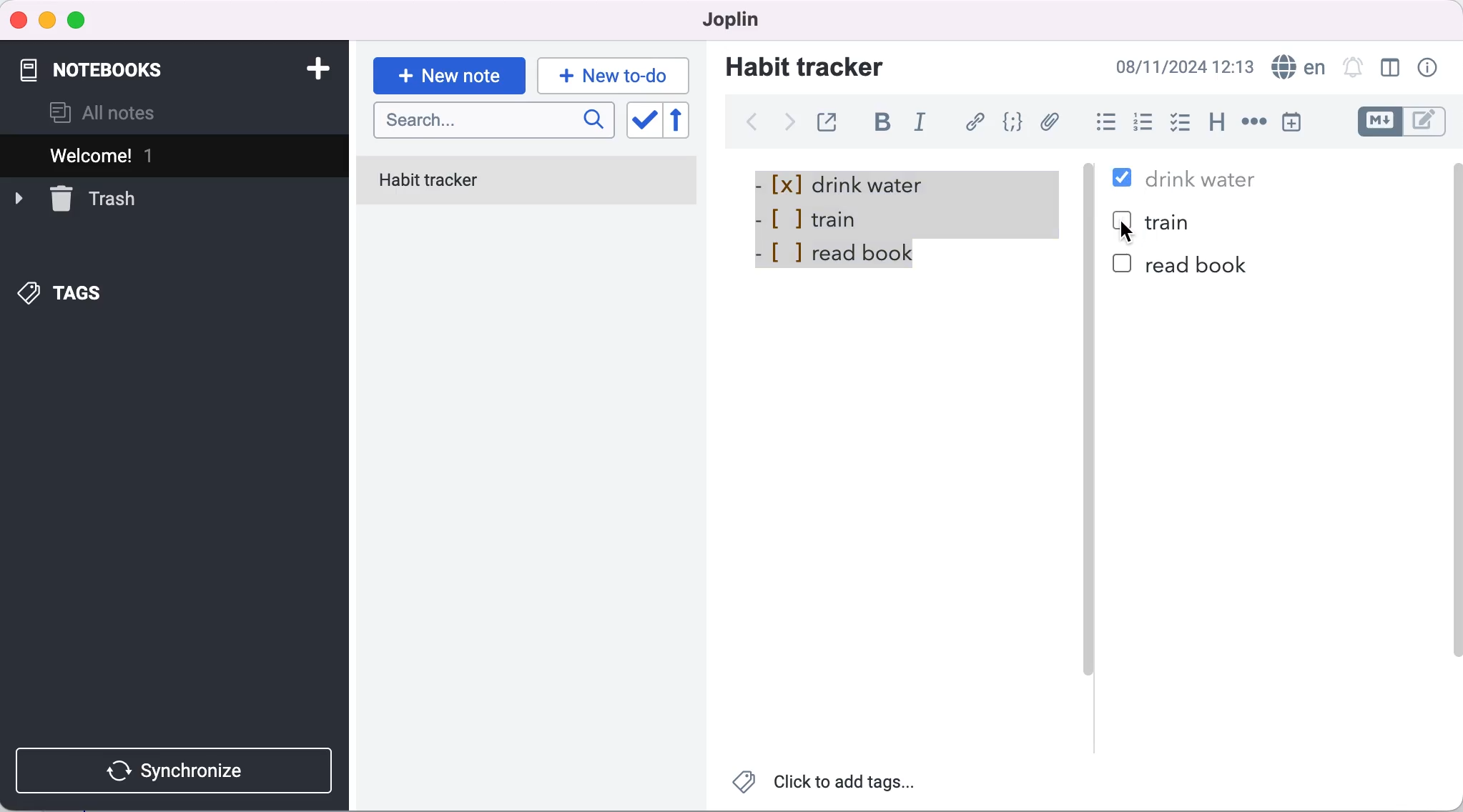 The image size is (1463, 812). Describe the element at coordinates (79, 21) in the screenshot. I see `maximize` at that location.